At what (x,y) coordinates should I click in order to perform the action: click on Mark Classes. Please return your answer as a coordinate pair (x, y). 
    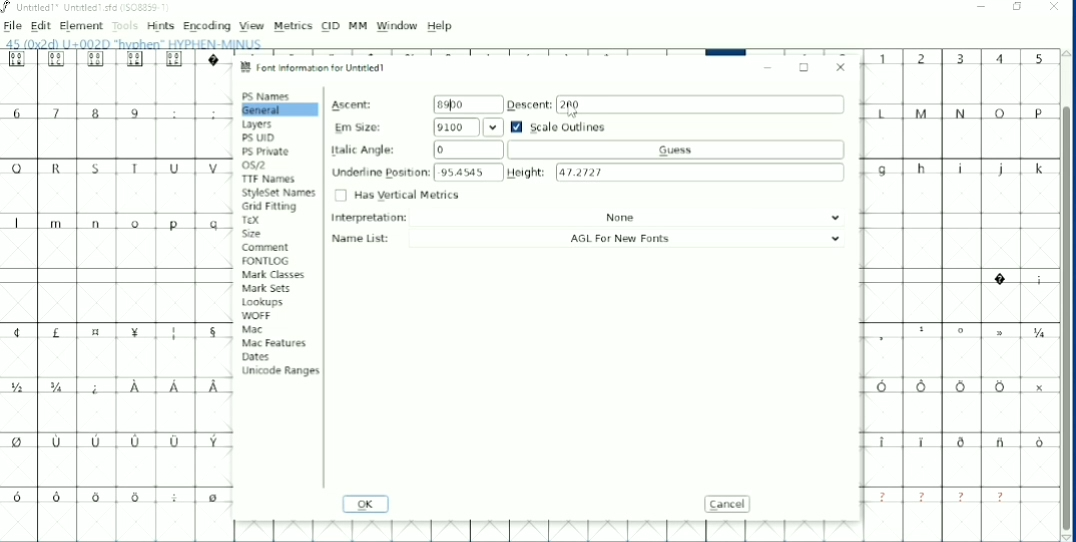
    Looking at the image, I should click on (275, 274).